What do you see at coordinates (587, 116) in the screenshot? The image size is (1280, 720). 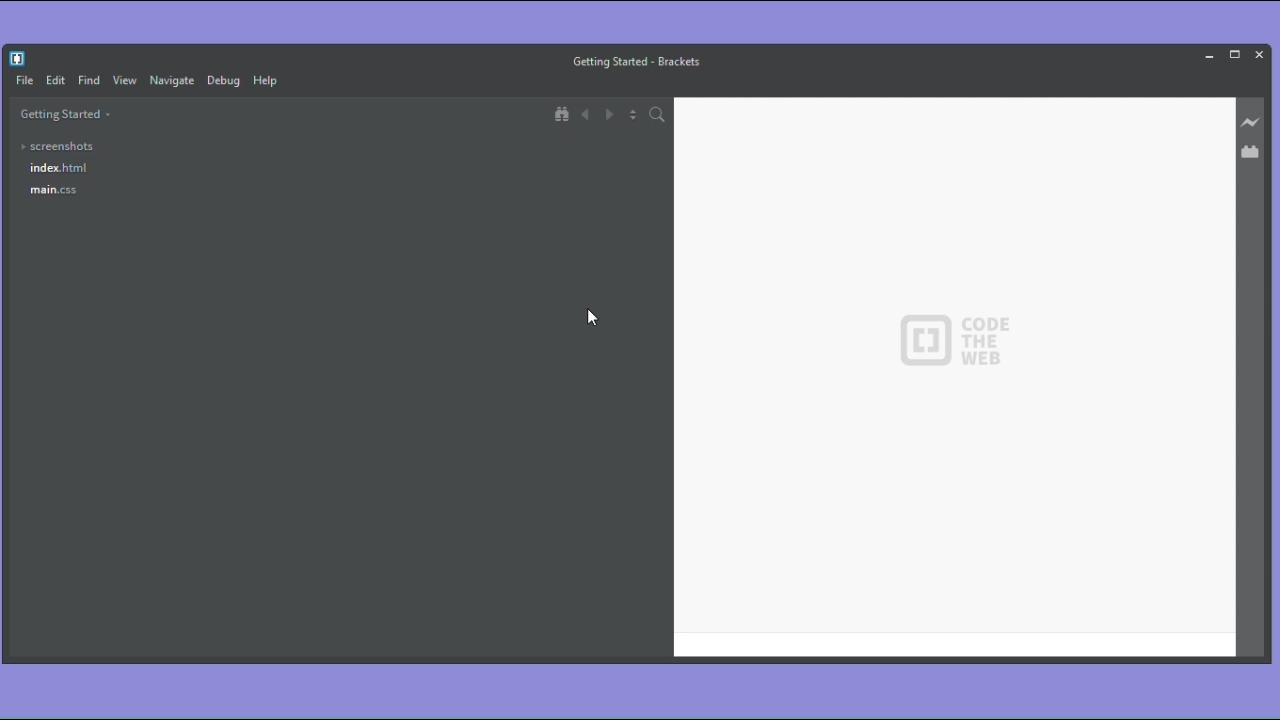 I see `Navigate back` at bounding box center [587, 116].